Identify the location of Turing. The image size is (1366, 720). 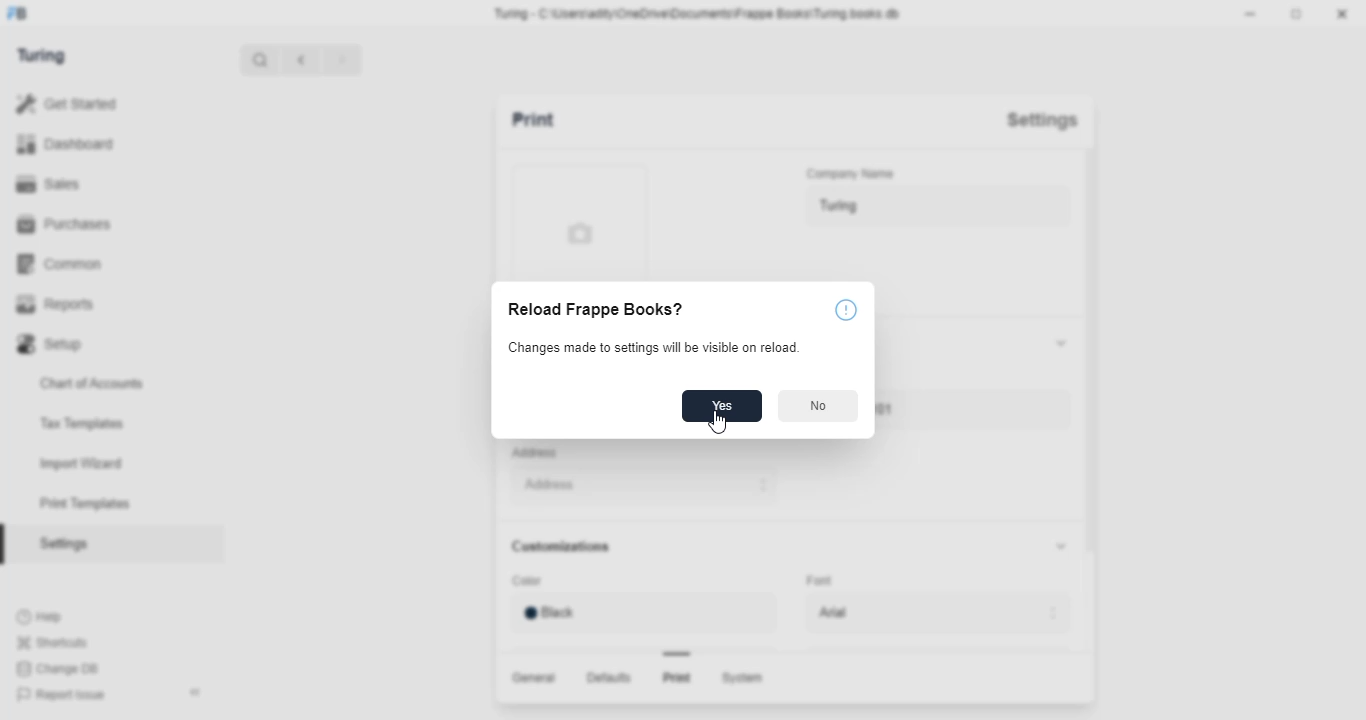
(934, 208).